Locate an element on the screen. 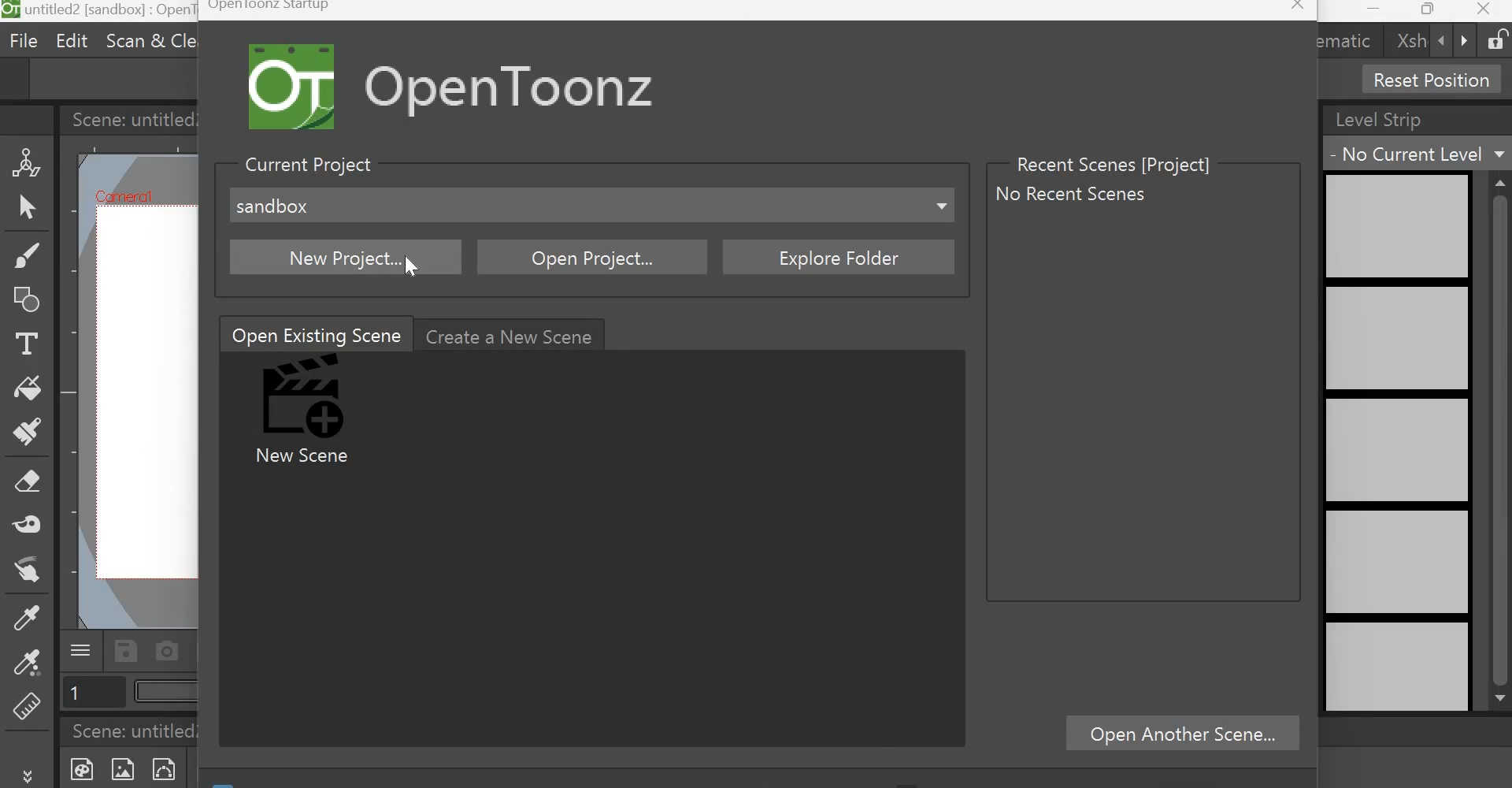  forward is located at coordinates (1462, 39).